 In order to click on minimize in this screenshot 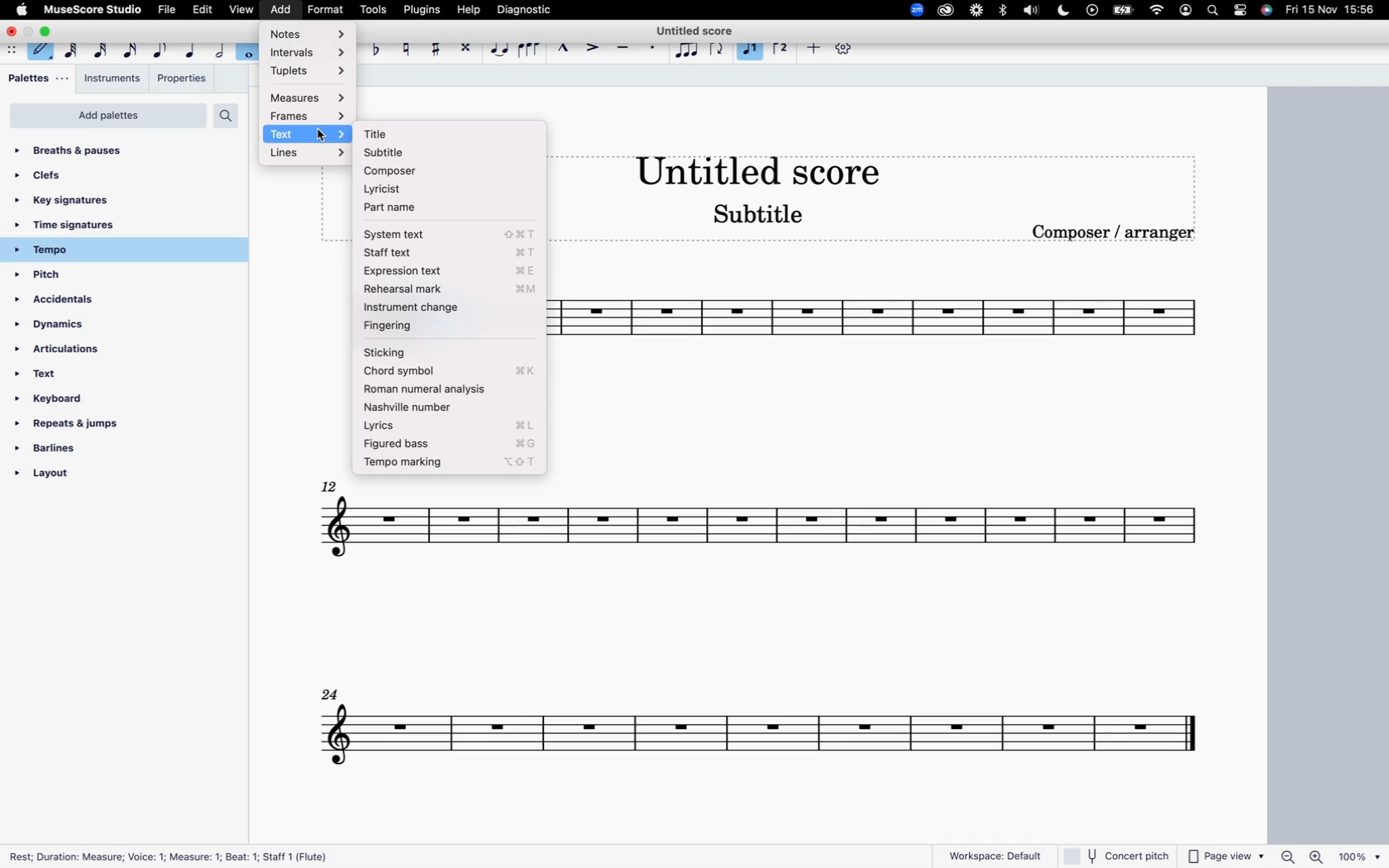, I will do `click(30, 31)`.